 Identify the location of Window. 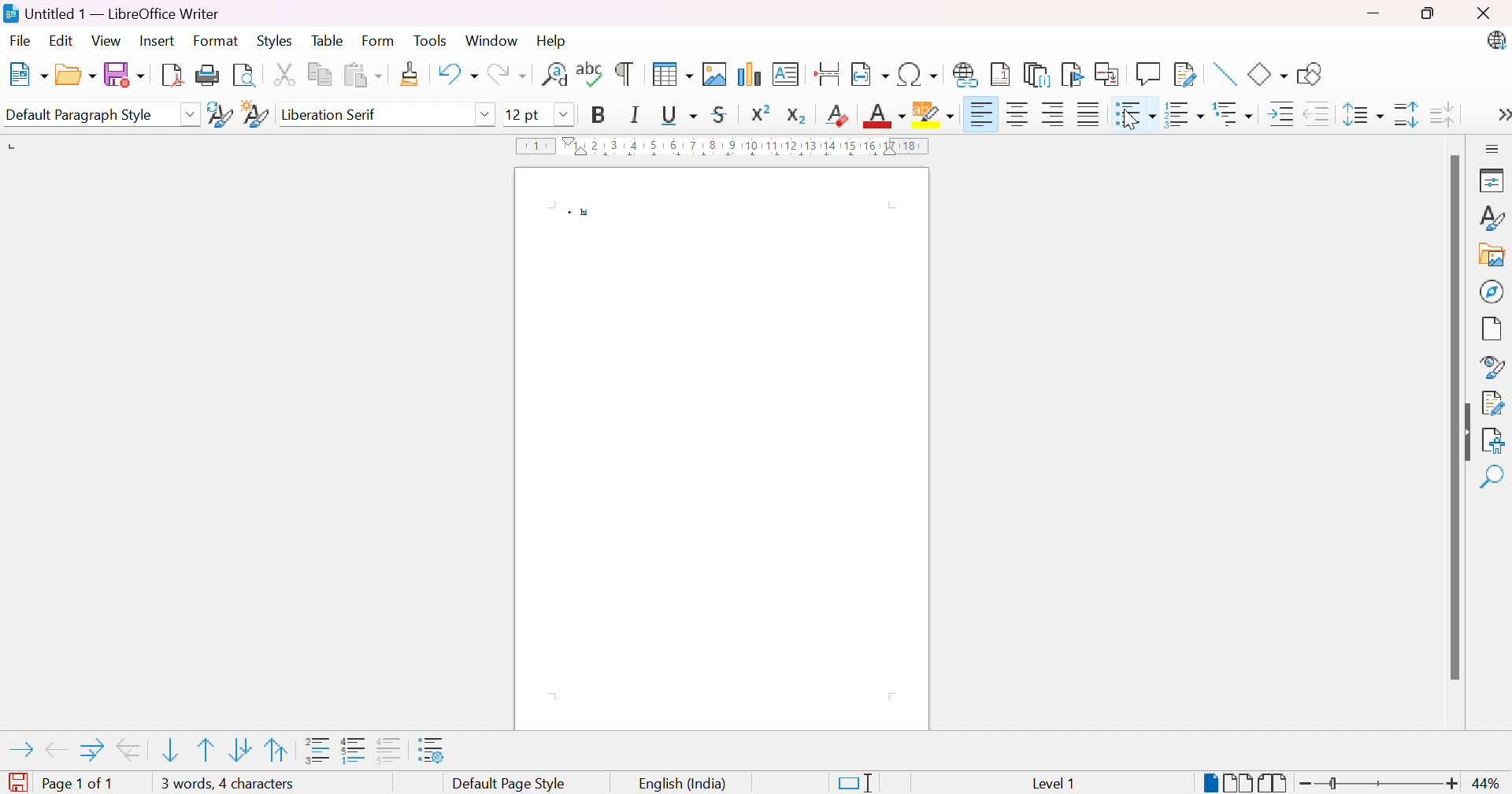
(492, 42).